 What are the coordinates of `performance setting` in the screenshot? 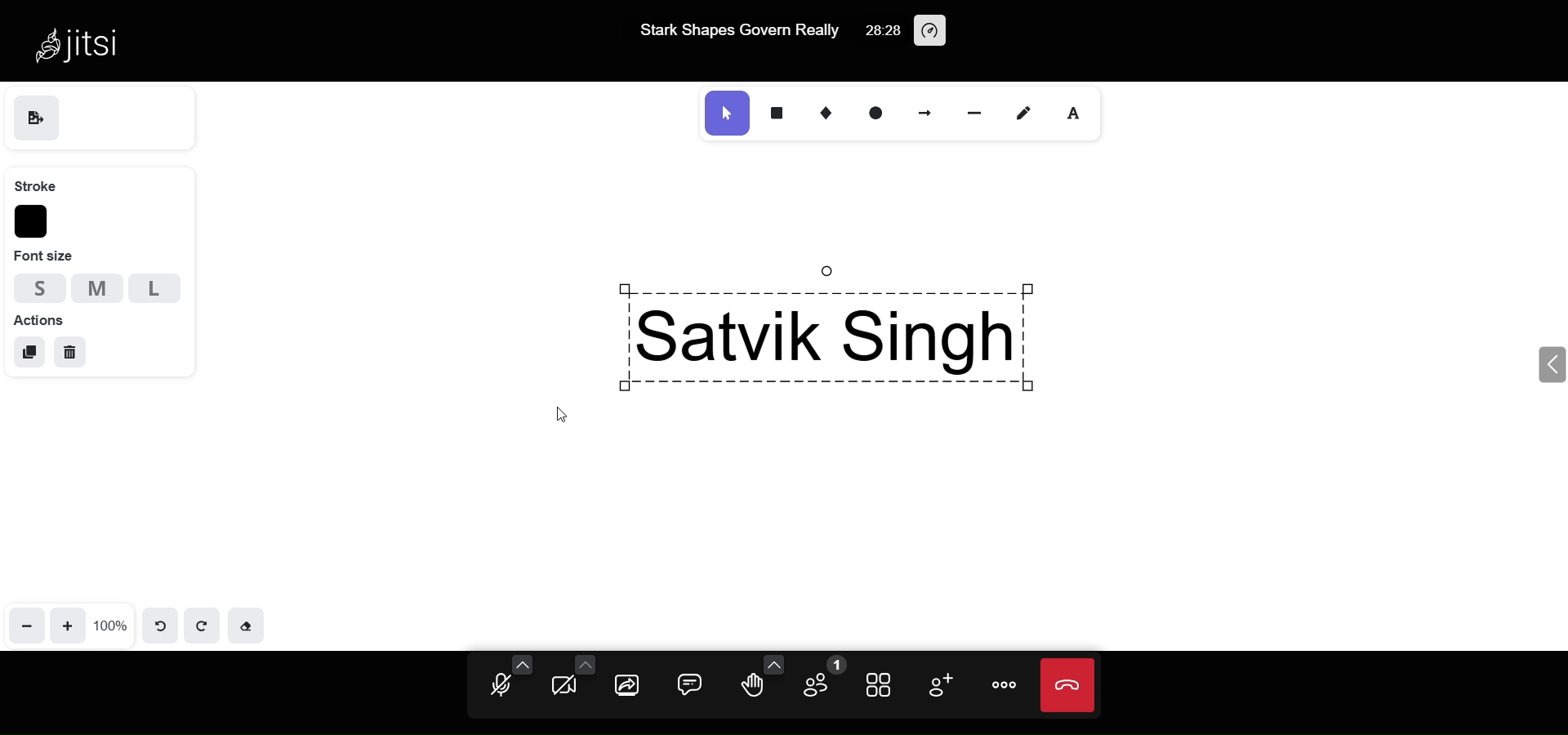 It's located at (934, 32).